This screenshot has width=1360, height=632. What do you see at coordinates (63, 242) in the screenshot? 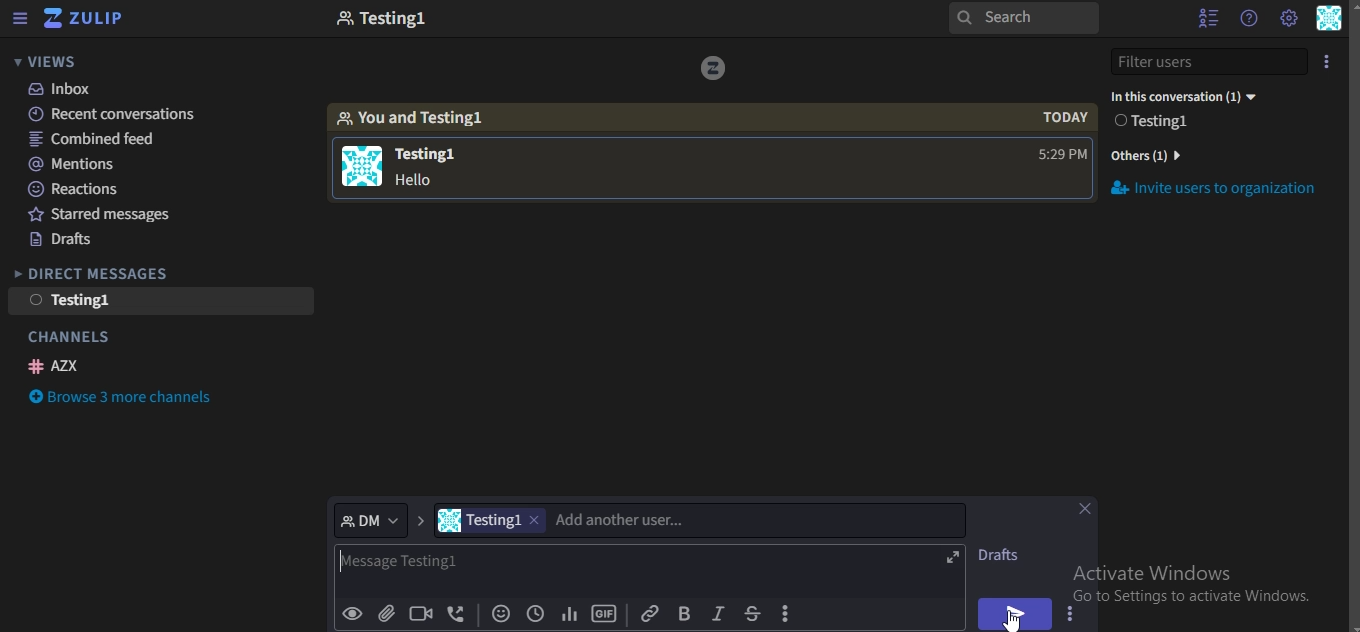
I see `drafts` at bounding box center [63, 242].